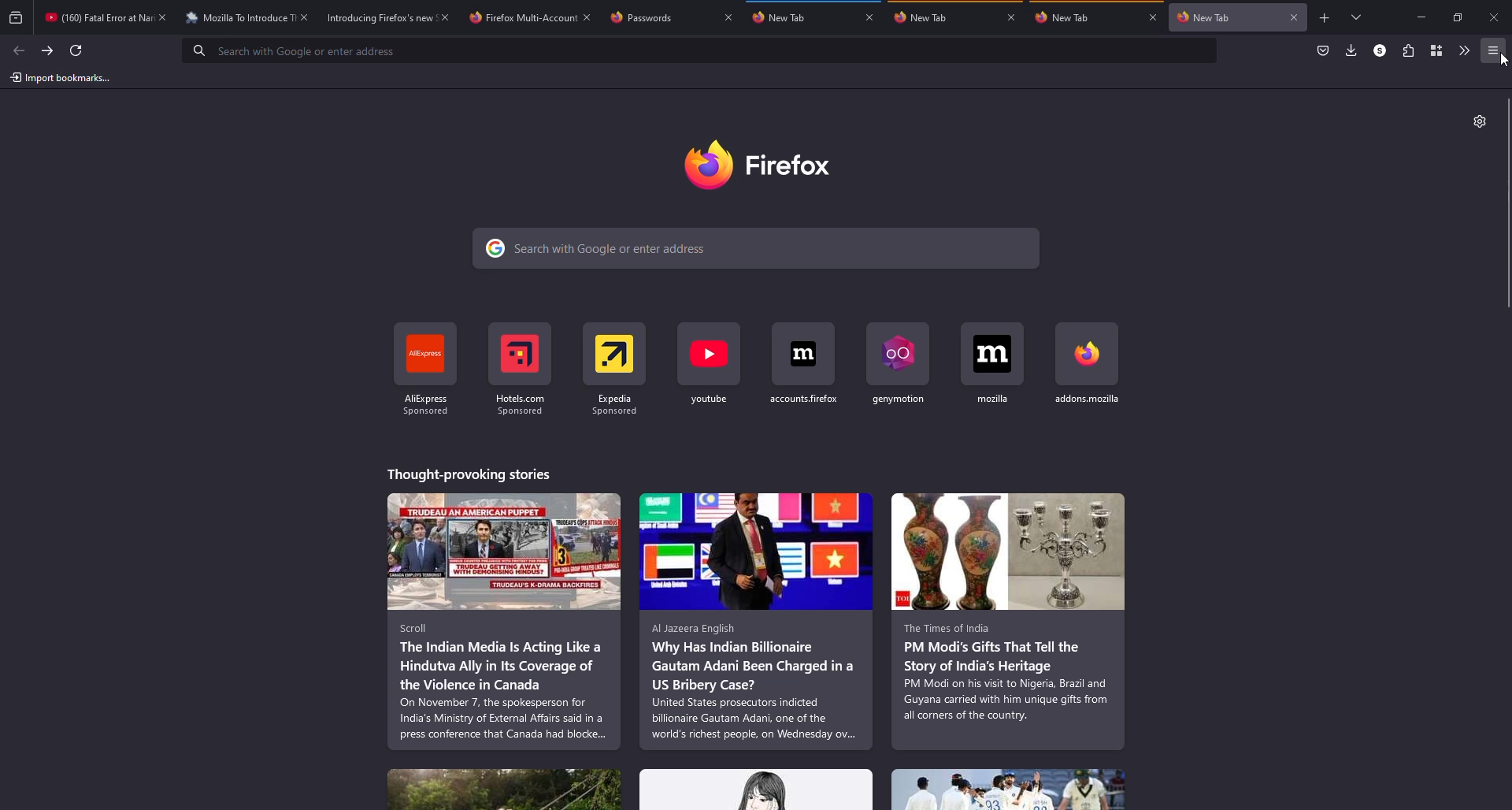  I want to click on stories, so click(1008, 790).